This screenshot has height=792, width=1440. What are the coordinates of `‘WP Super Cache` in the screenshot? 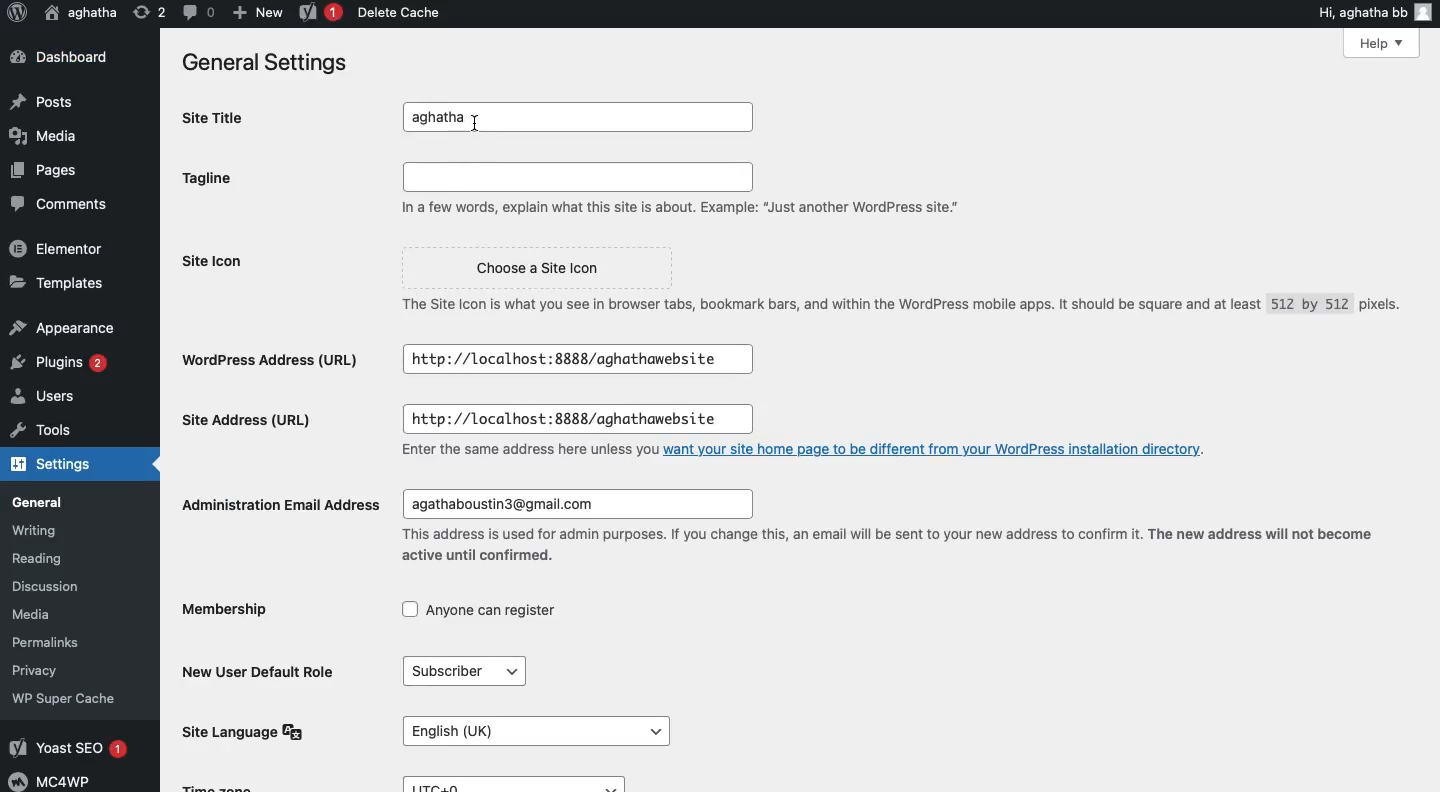 It's located at (65, 698).